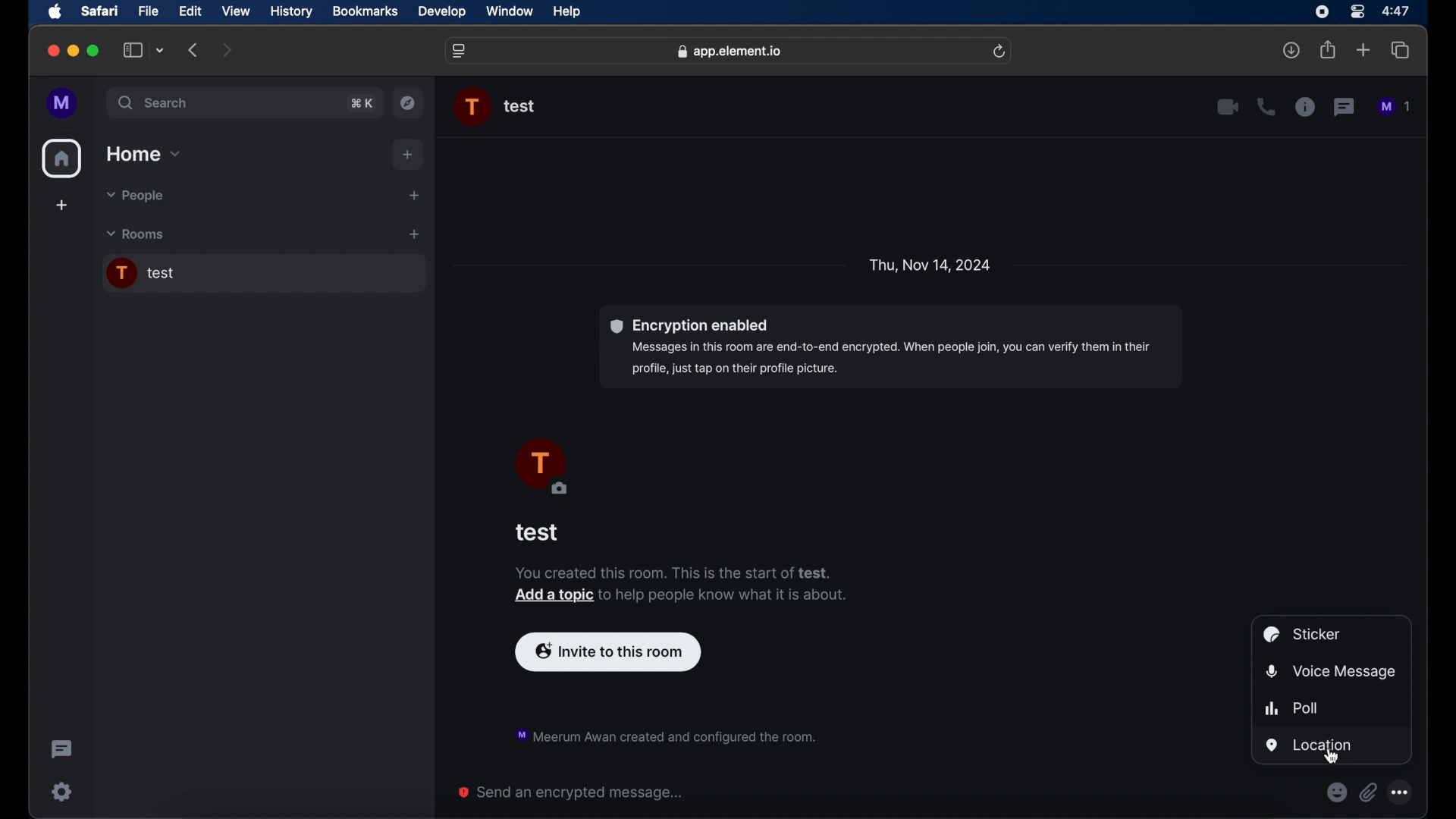  What do you see at coordinates (930, 264) in the screenshot?
I see `date and day` at bounding box center [930, 264].